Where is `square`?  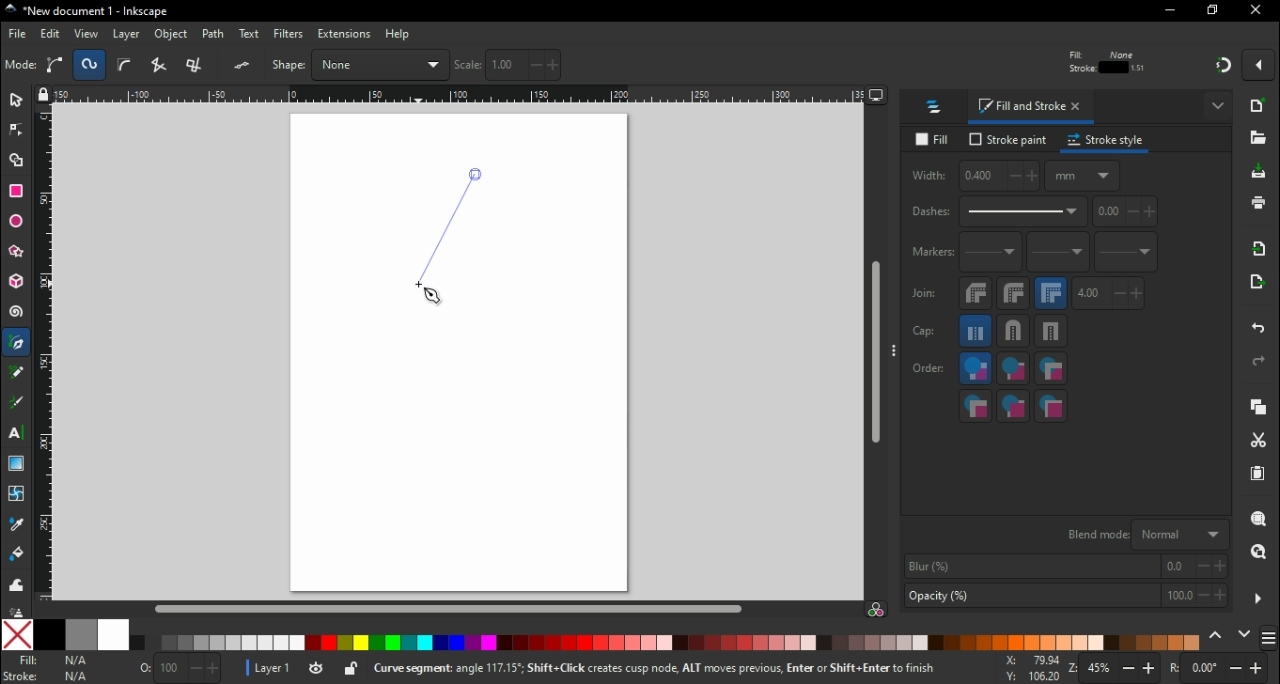
square is located at coordinates (1053, 335).